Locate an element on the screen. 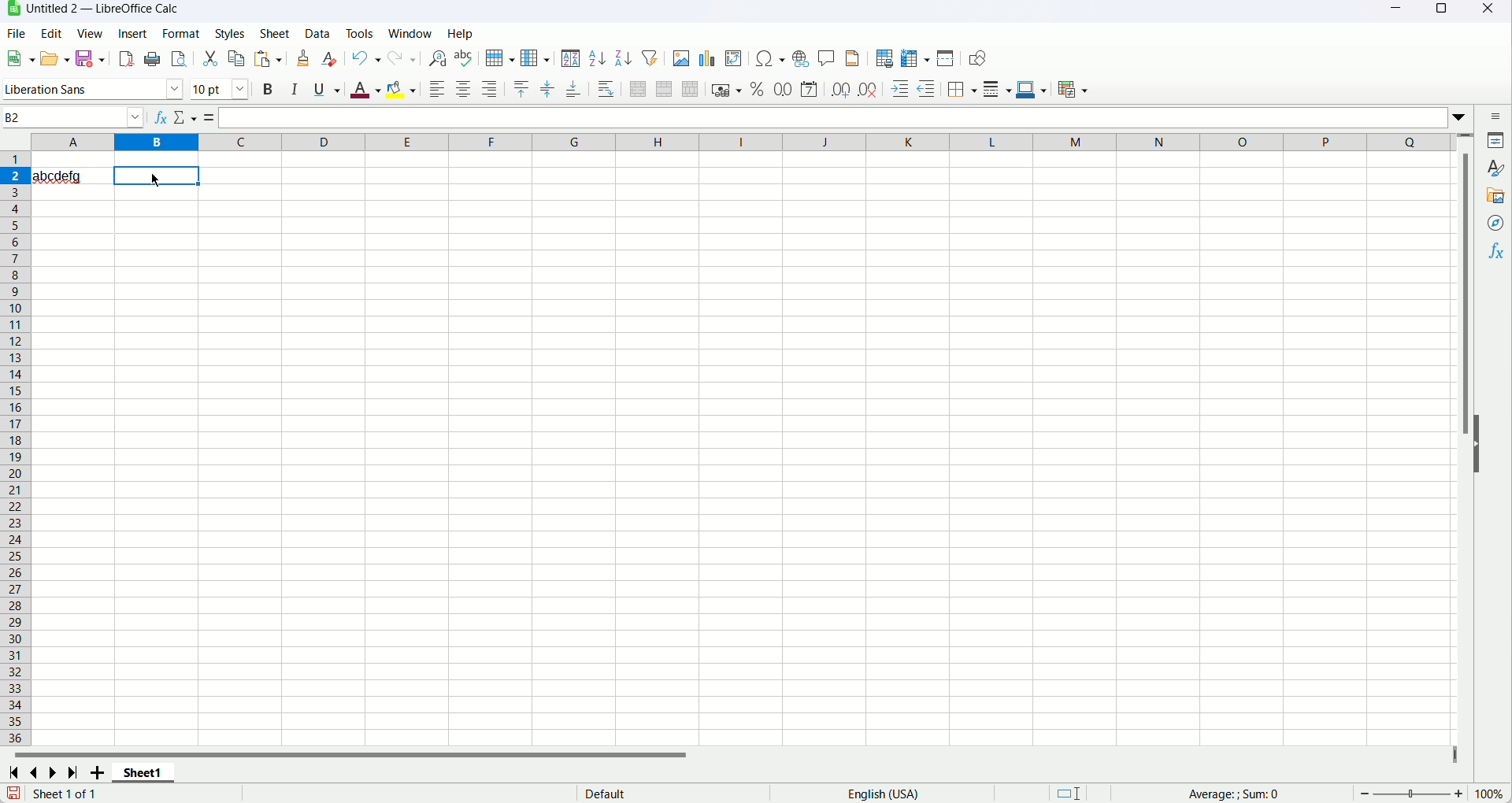 The width and height of the screenshot is (1512, 803). style is located at coordinates (1492, 168).